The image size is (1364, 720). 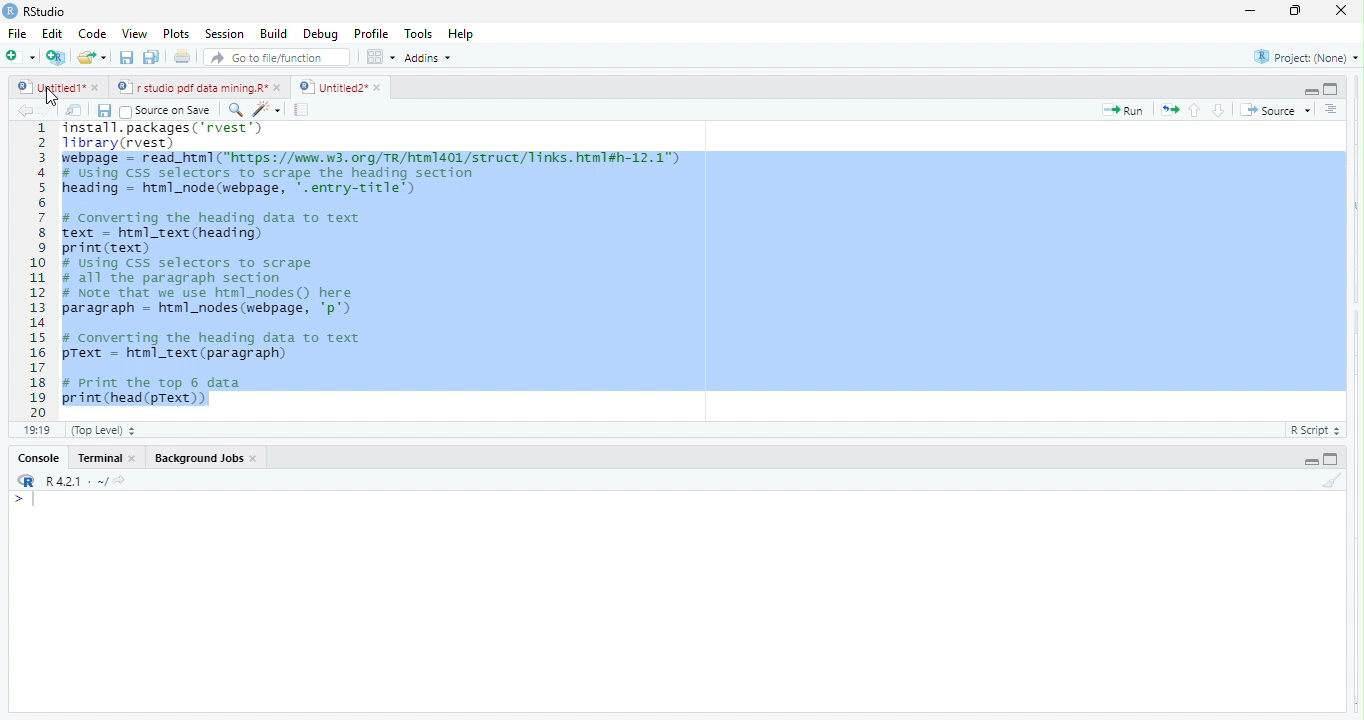 I want to click on rs studio logo, so click(x=26, y=481).